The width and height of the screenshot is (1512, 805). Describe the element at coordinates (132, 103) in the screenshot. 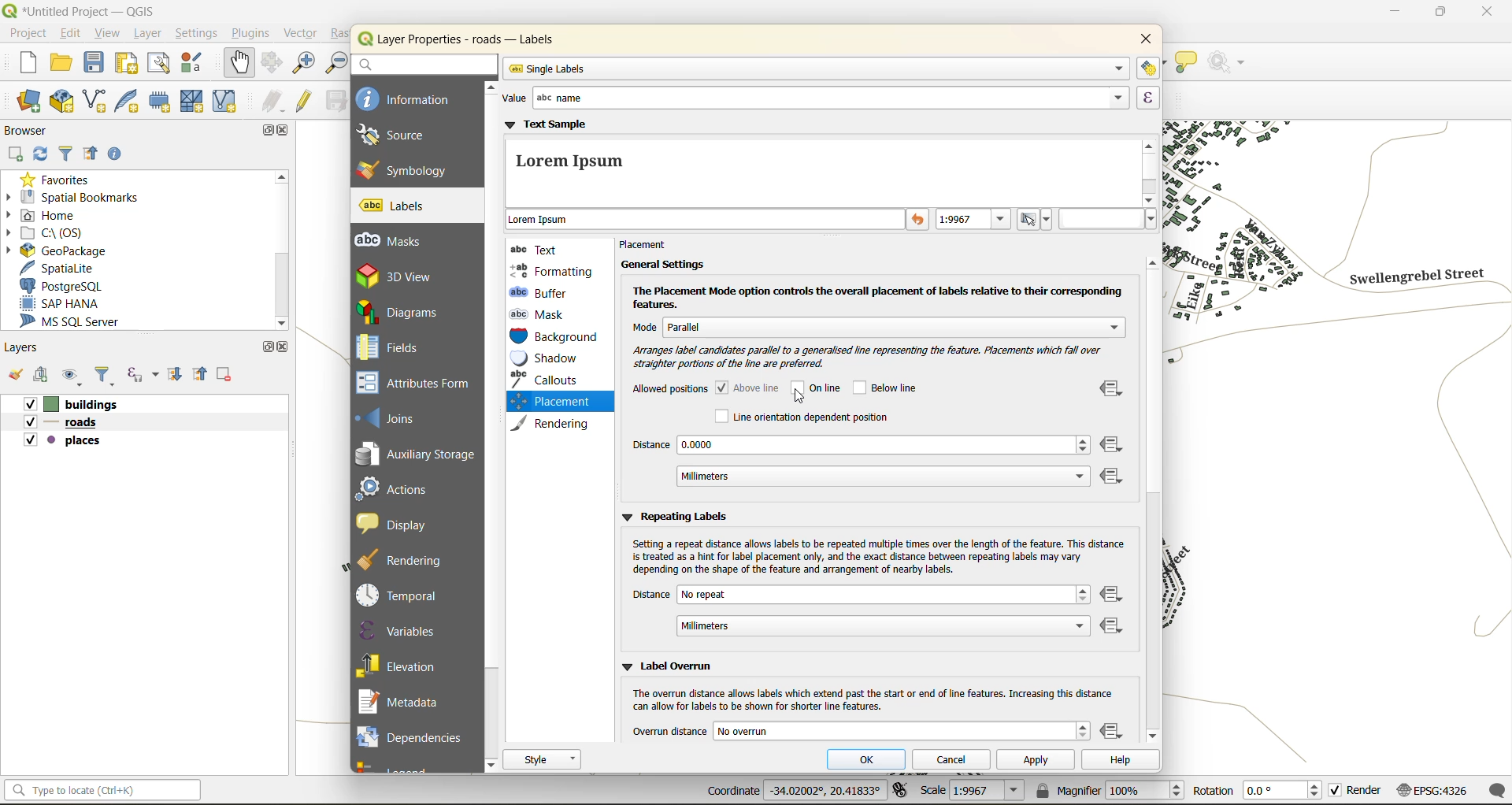

I see `new spatialite layer` at that location.